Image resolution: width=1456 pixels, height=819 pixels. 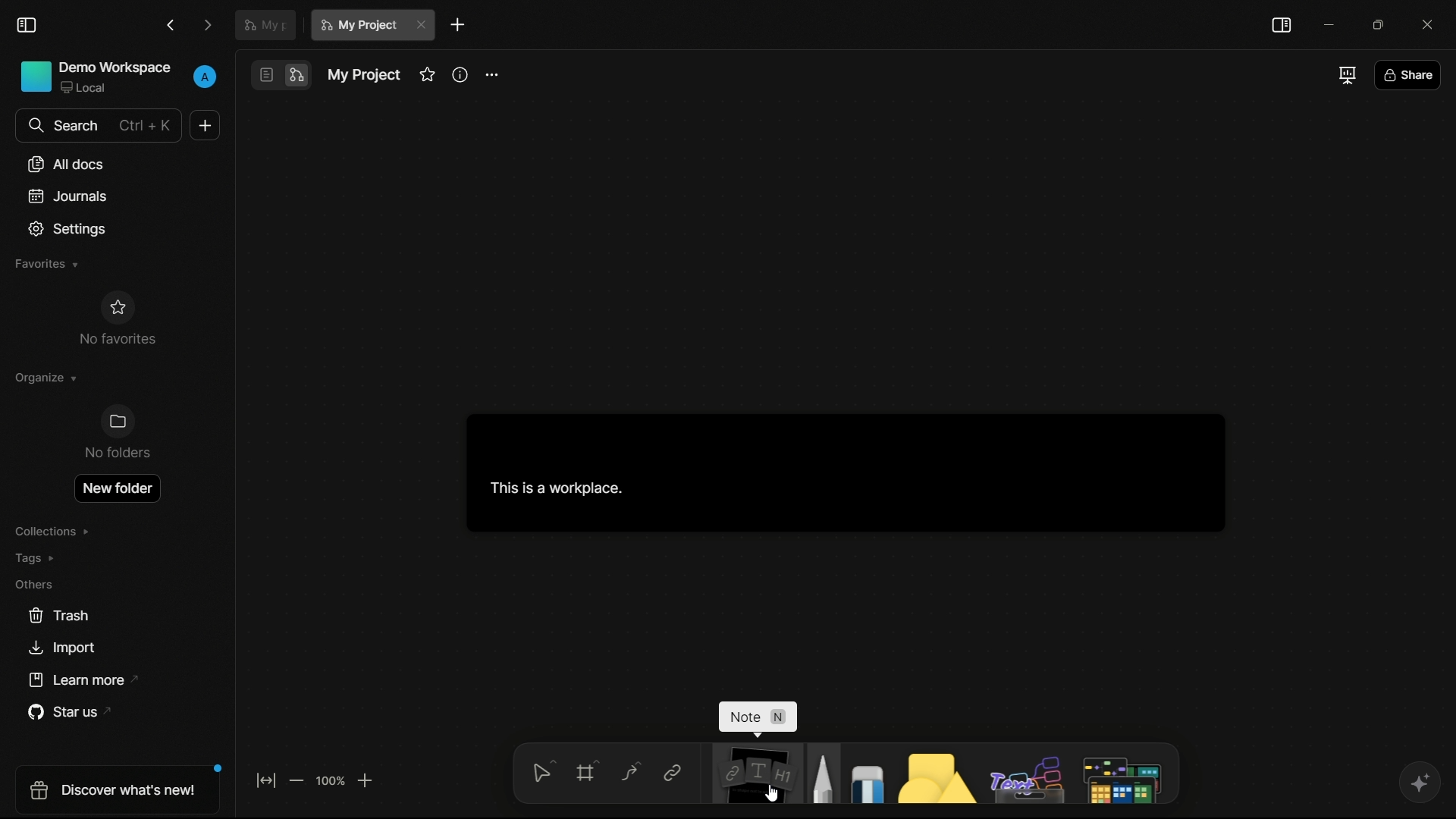 What do you see at coordinates (83, 679) in the screenshot?
I see `learn more` at bounding box center [83, 679].